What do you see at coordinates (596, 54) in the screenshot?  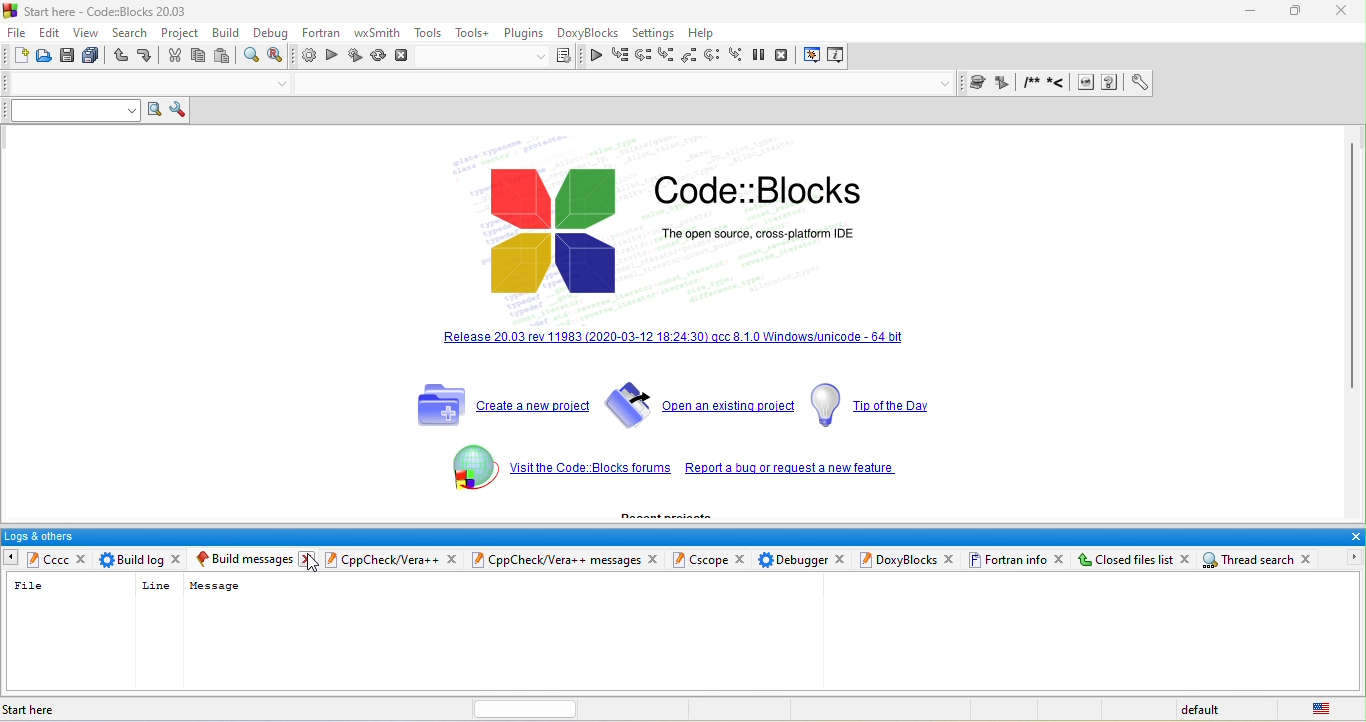 I see `continue` at bounding box center [596, 54].